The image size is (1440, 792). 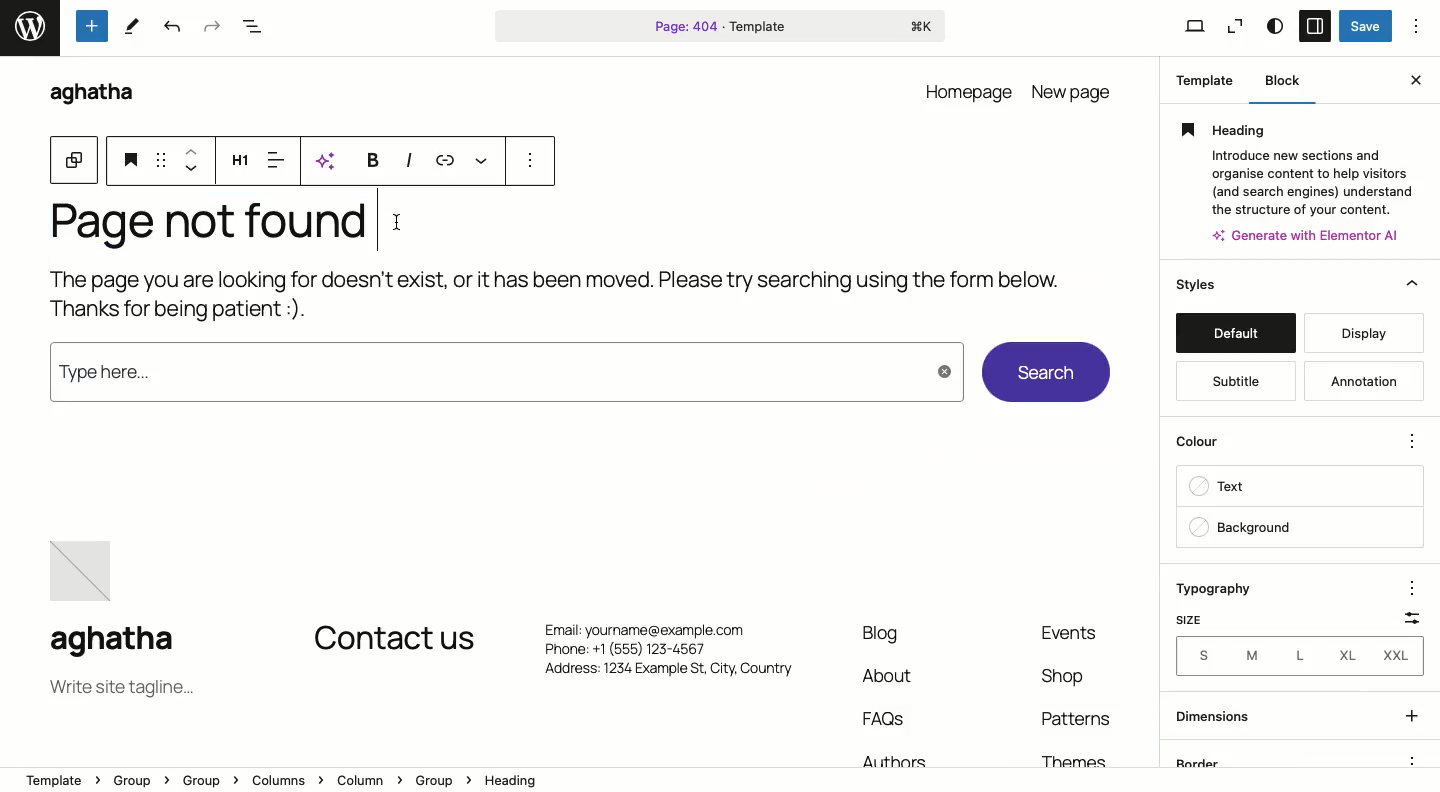 What do you see at coordinates (1316, 182) in the screenshot?
I see `` at bounding box center [1316, 182].